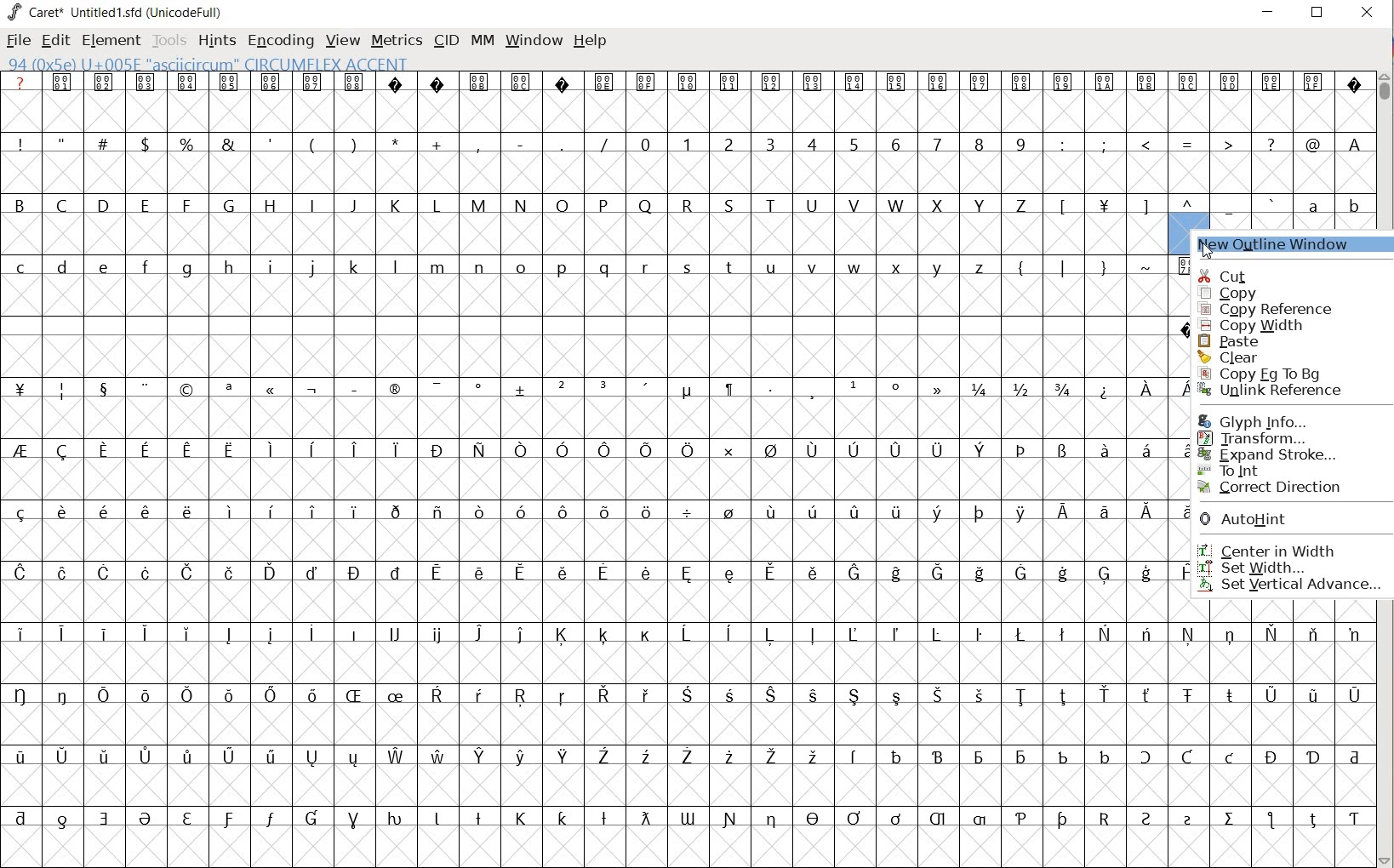 The height and width of the screenshot is (868, 1394). I want to click on MM, so click(479, 40).